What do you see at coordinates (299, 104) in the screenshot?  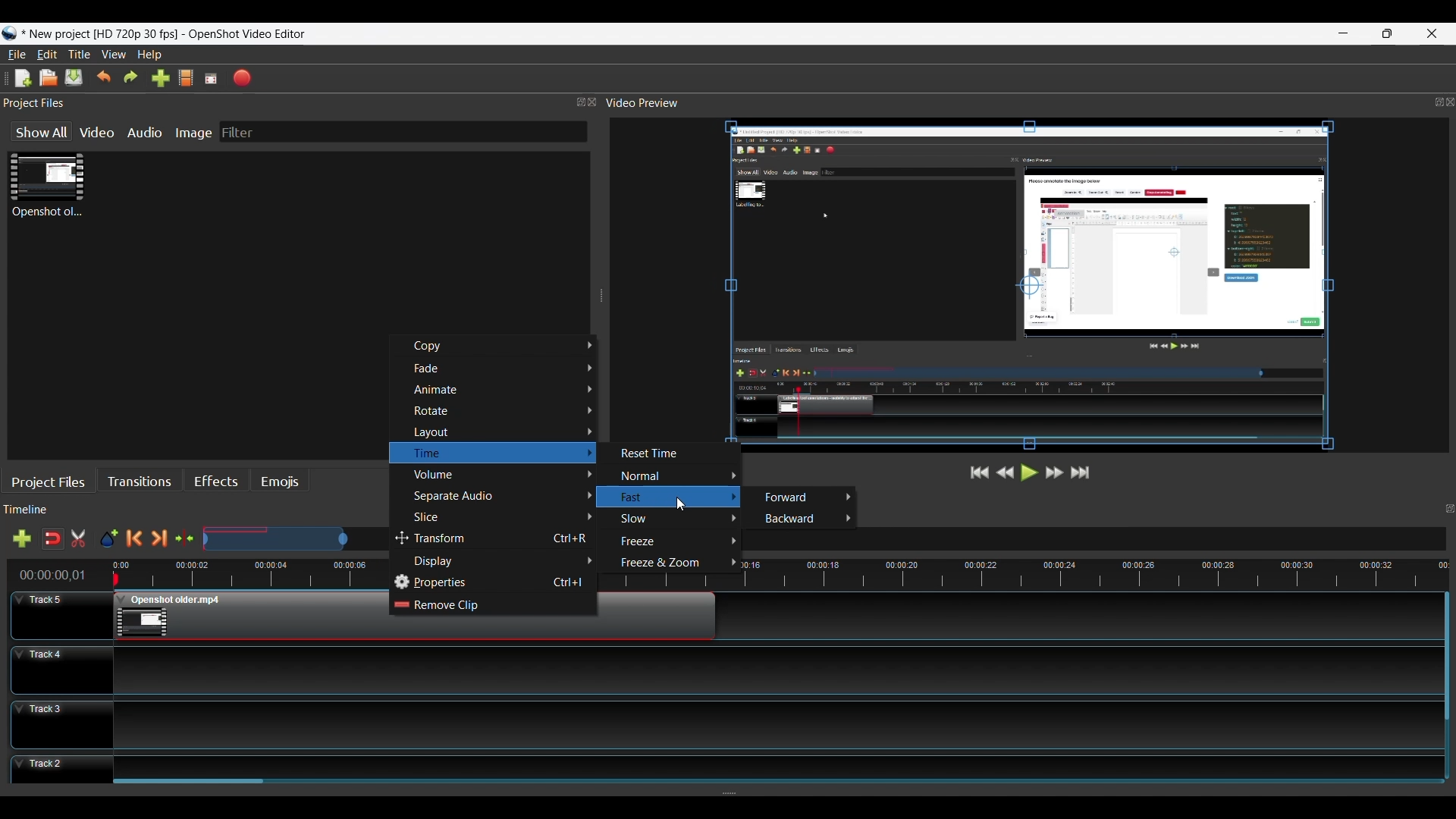 I see `Project Files` at bounding box center [299, 104].